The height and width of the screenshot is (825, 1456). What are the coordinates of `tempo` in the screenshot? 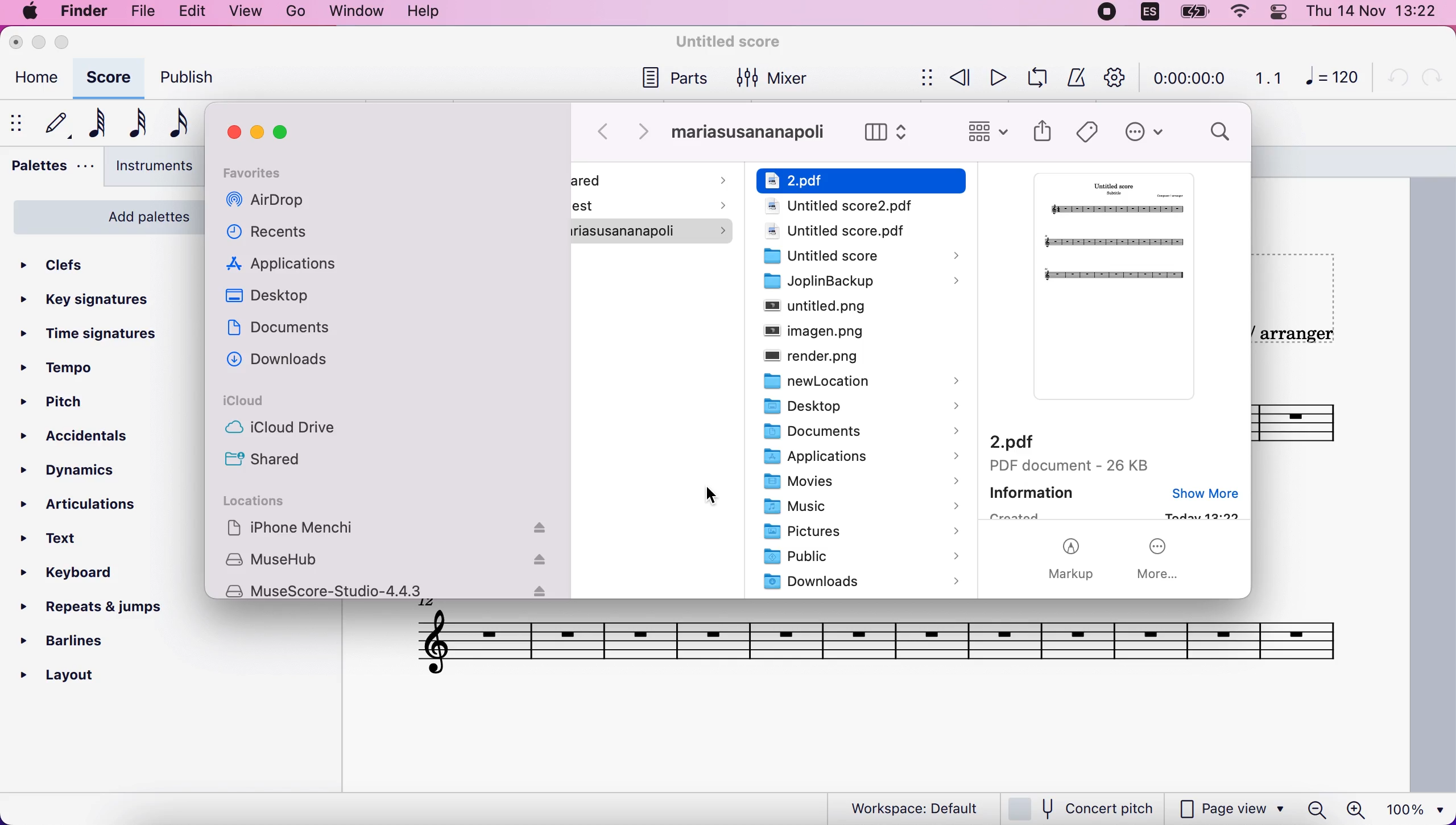 It's located at (76, 366).